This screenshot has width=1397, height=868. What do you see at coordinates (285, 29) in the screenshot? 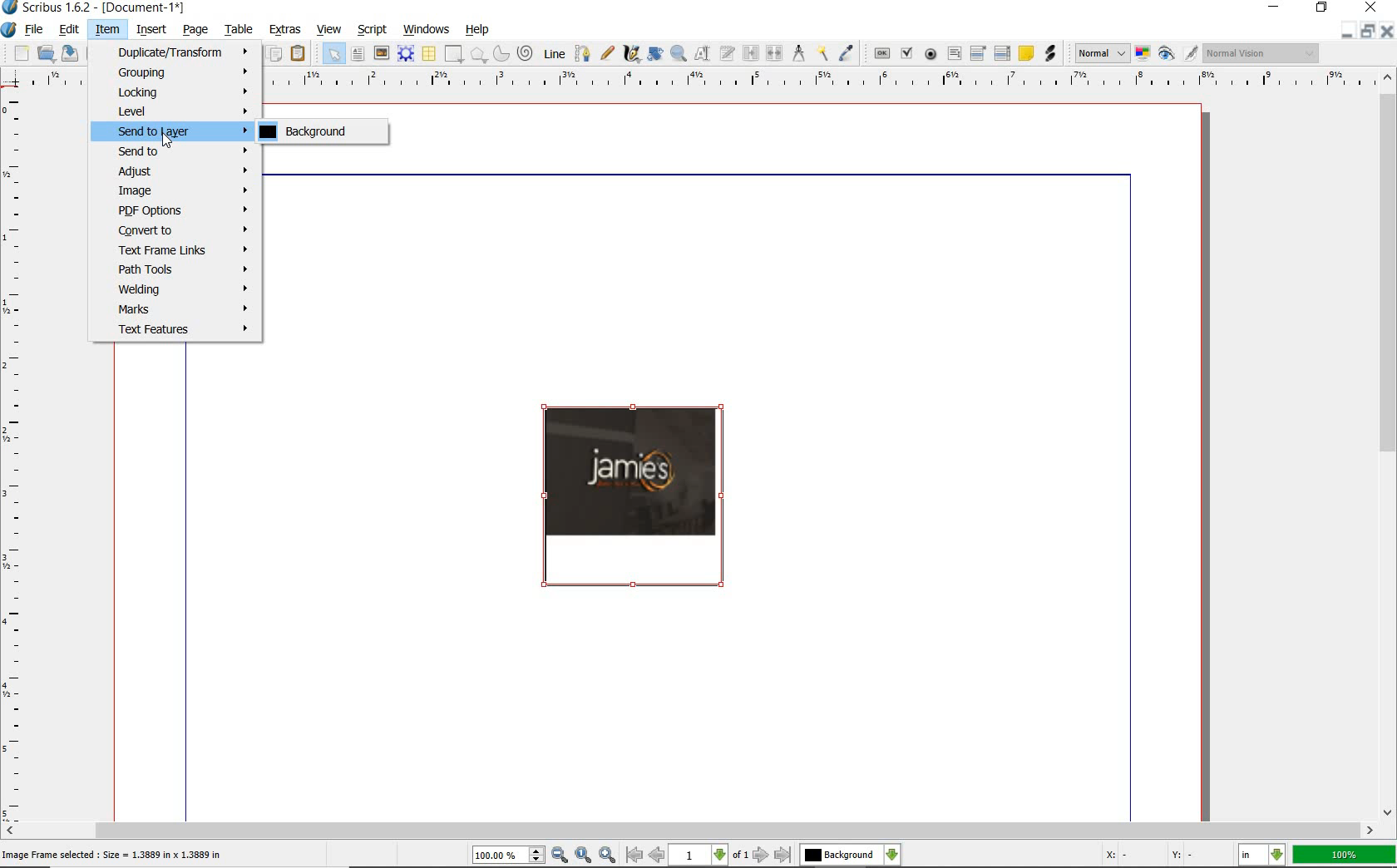
I see `extras` at bounding box center [285, 29].